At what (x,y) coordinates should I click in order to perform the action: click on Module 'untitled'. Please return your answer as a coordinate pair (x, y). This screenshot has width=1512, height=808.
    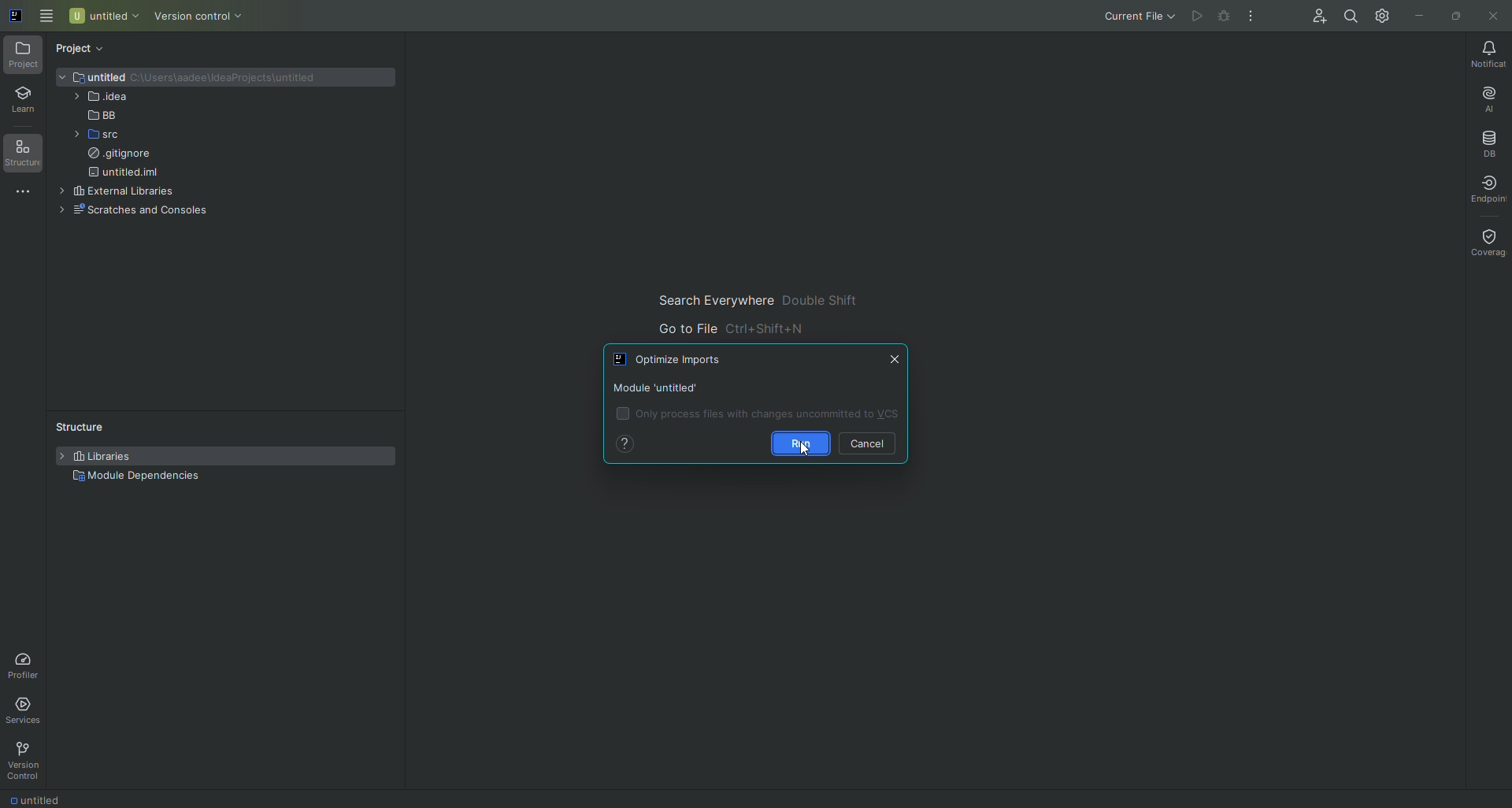
    Looking at the image, I should click on (658, 387).